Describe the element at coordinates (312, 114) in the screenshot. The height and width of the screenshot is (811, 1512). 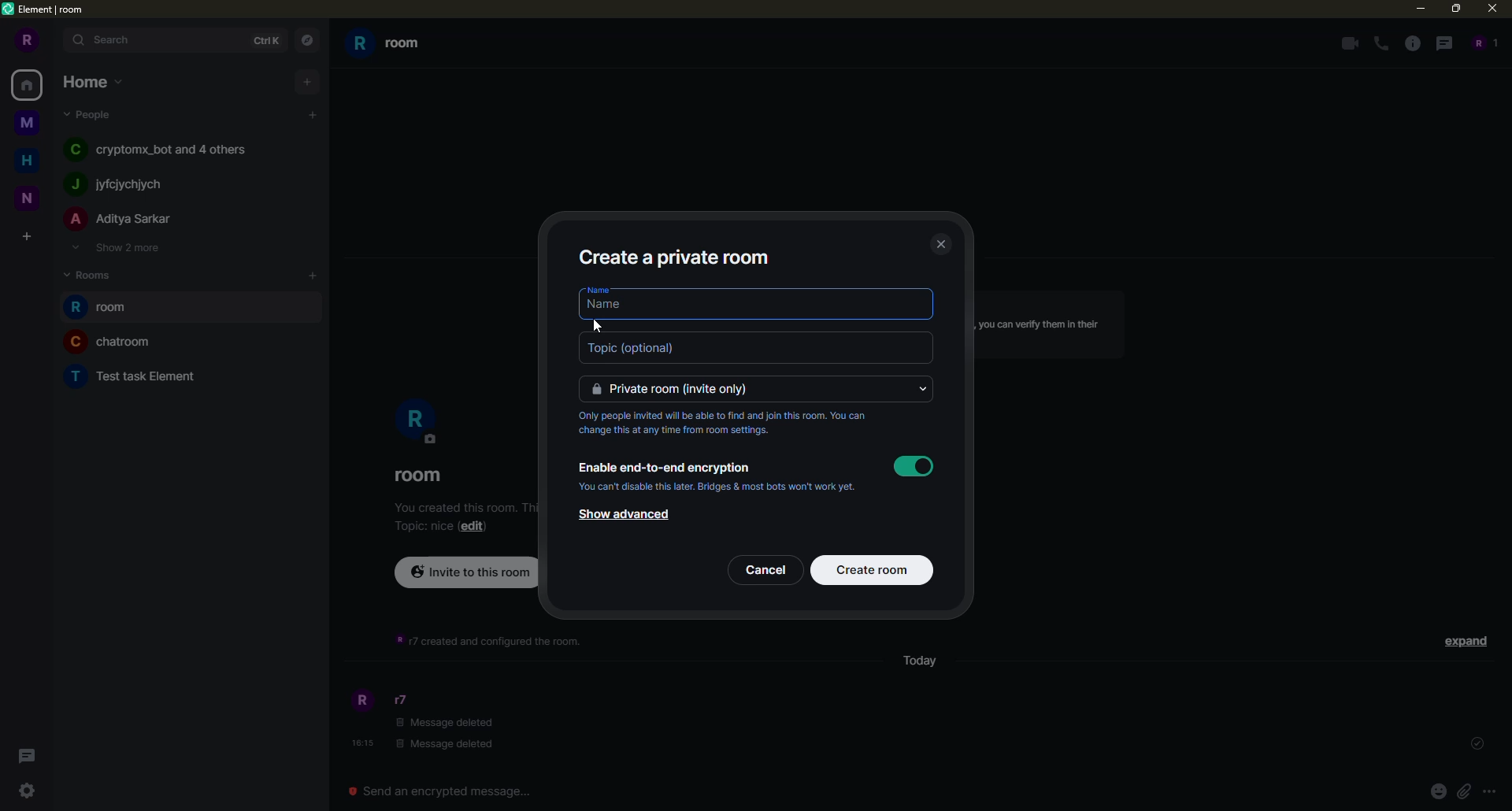
I see `add` at that location.